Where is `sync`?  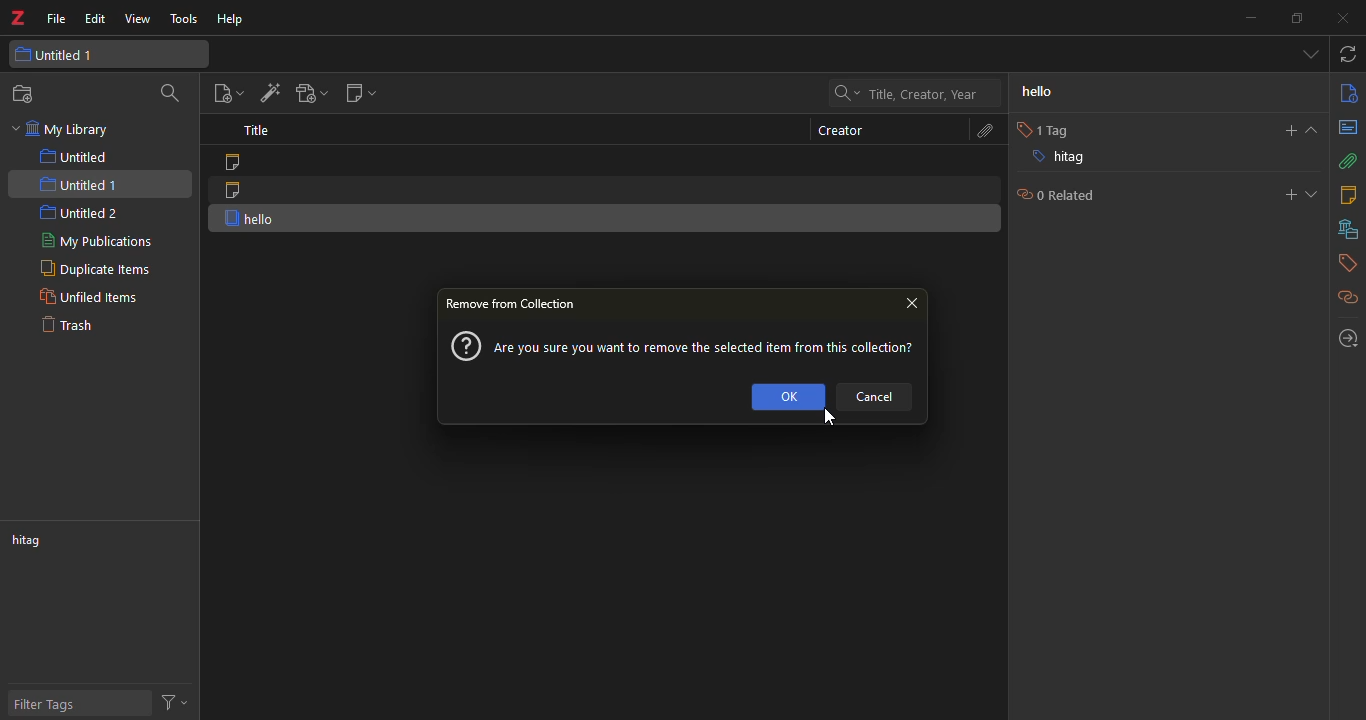 sync is located at coordinates (1348, 55).